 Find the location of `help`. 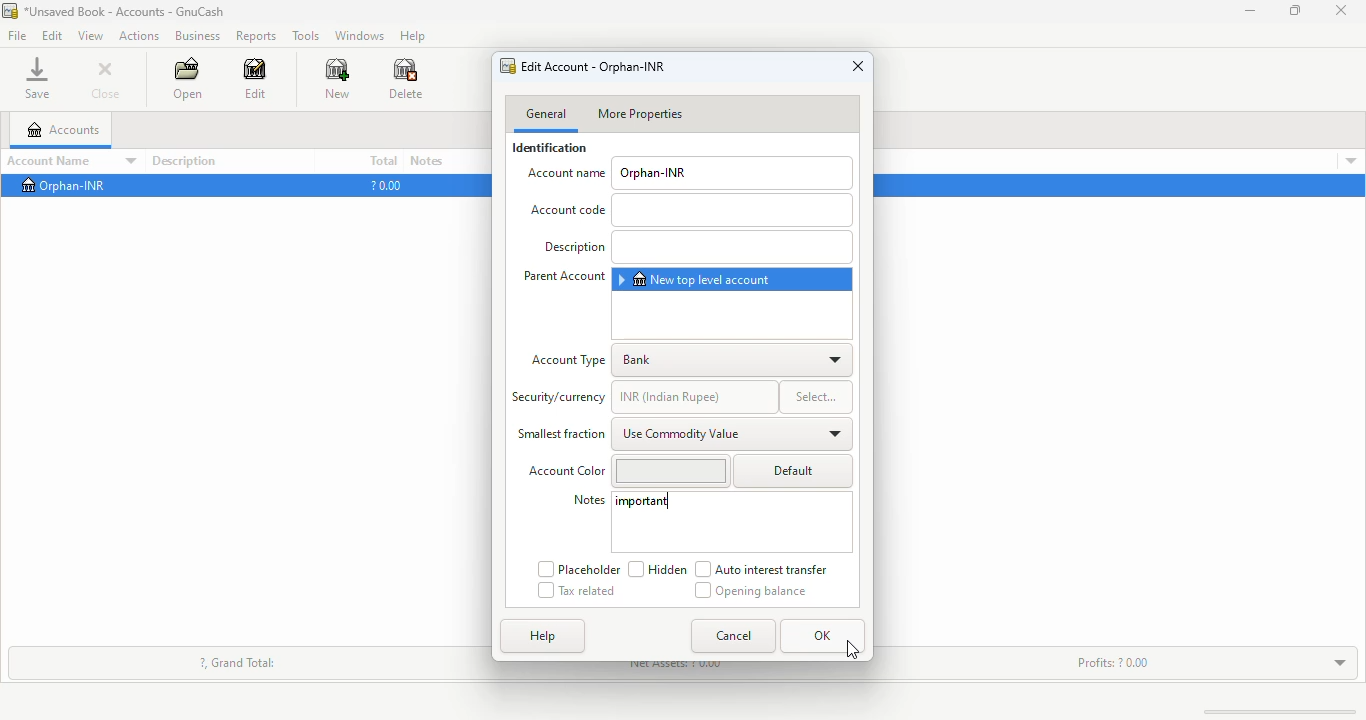

help is located at coordinates (415, 36).